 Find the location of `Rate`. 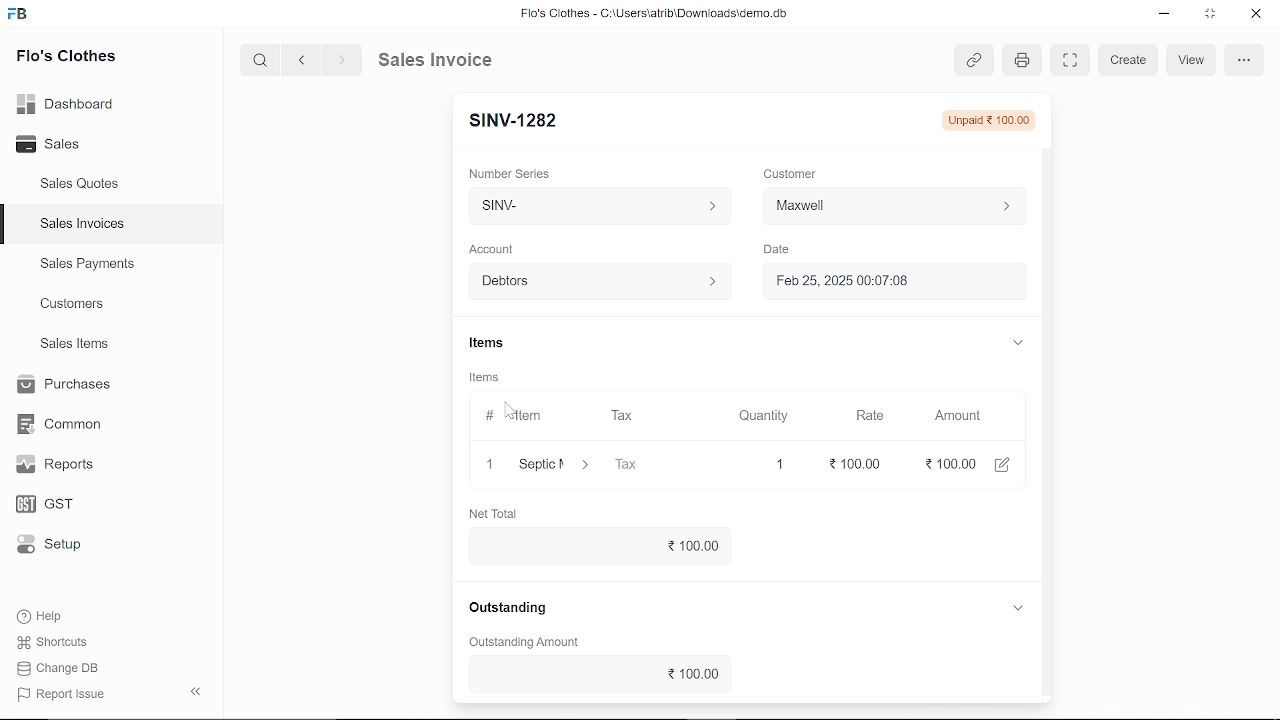

Rate is located at coordinates (850, 416).